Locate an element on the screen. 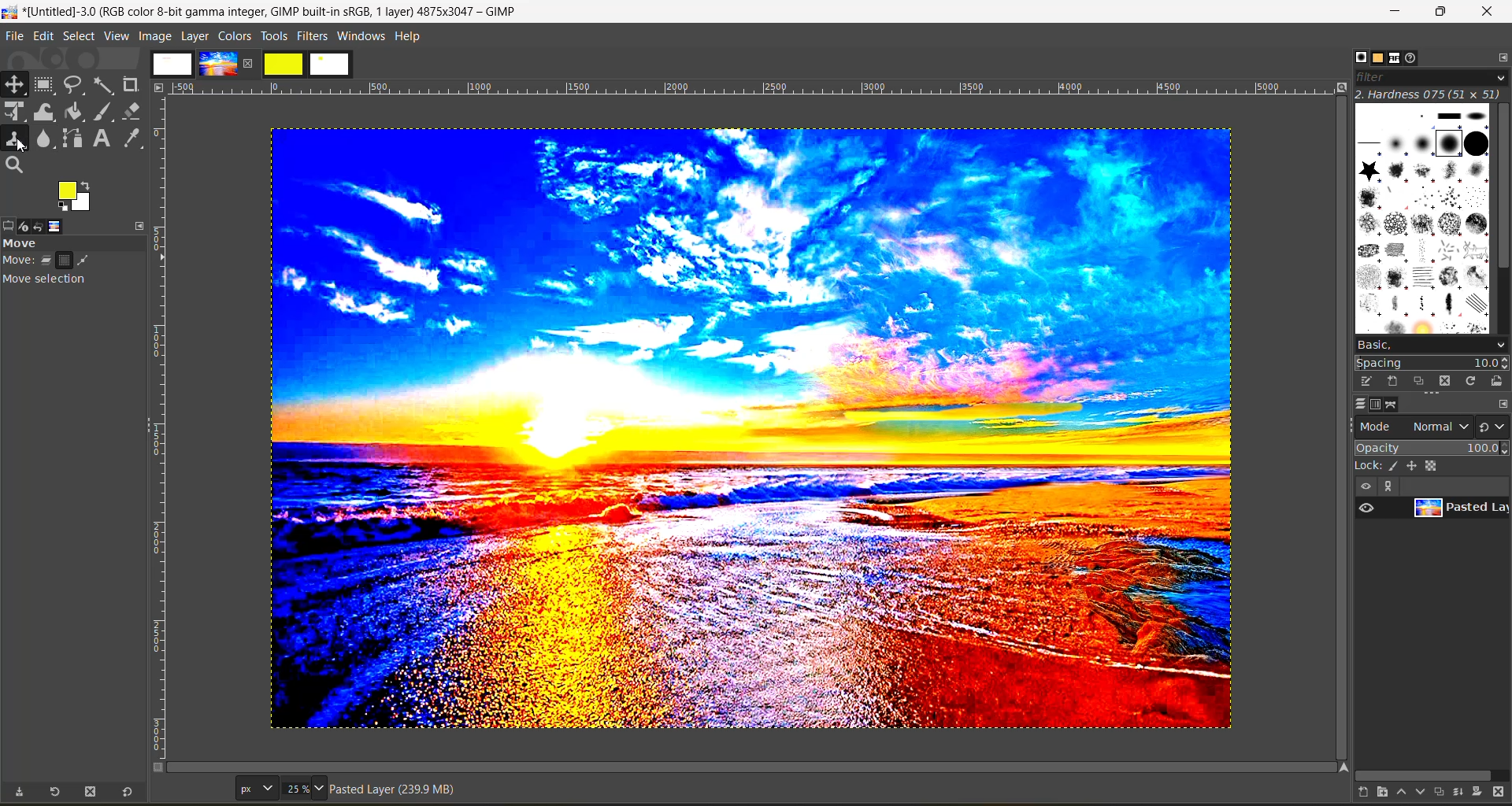  ruler is located at coordinates (757, 88).